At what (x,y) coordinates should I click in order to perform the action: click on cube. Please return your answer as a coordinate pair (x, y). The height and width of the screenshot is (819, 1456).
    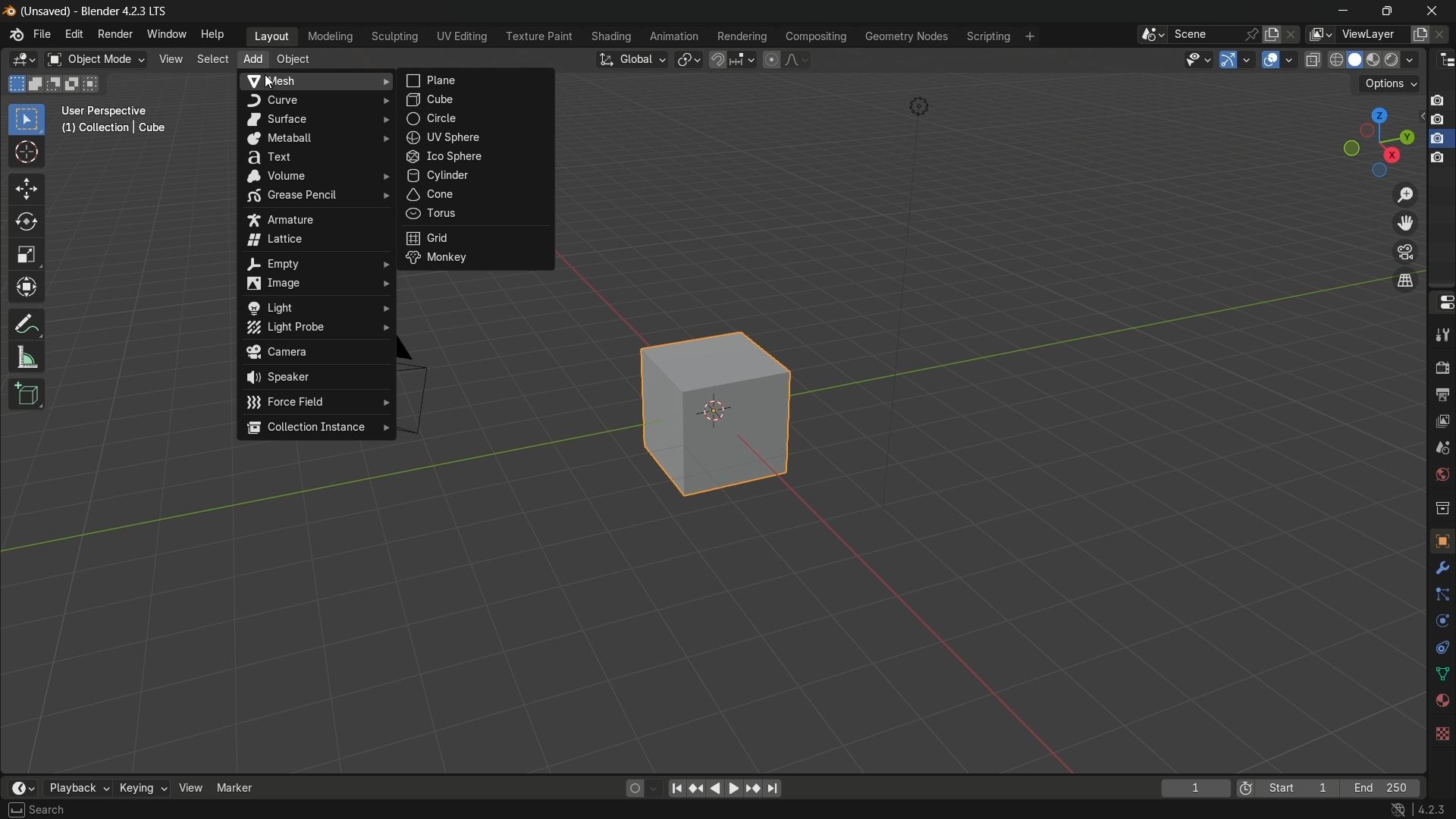
    Looking at the image, I should click on (479, 100).